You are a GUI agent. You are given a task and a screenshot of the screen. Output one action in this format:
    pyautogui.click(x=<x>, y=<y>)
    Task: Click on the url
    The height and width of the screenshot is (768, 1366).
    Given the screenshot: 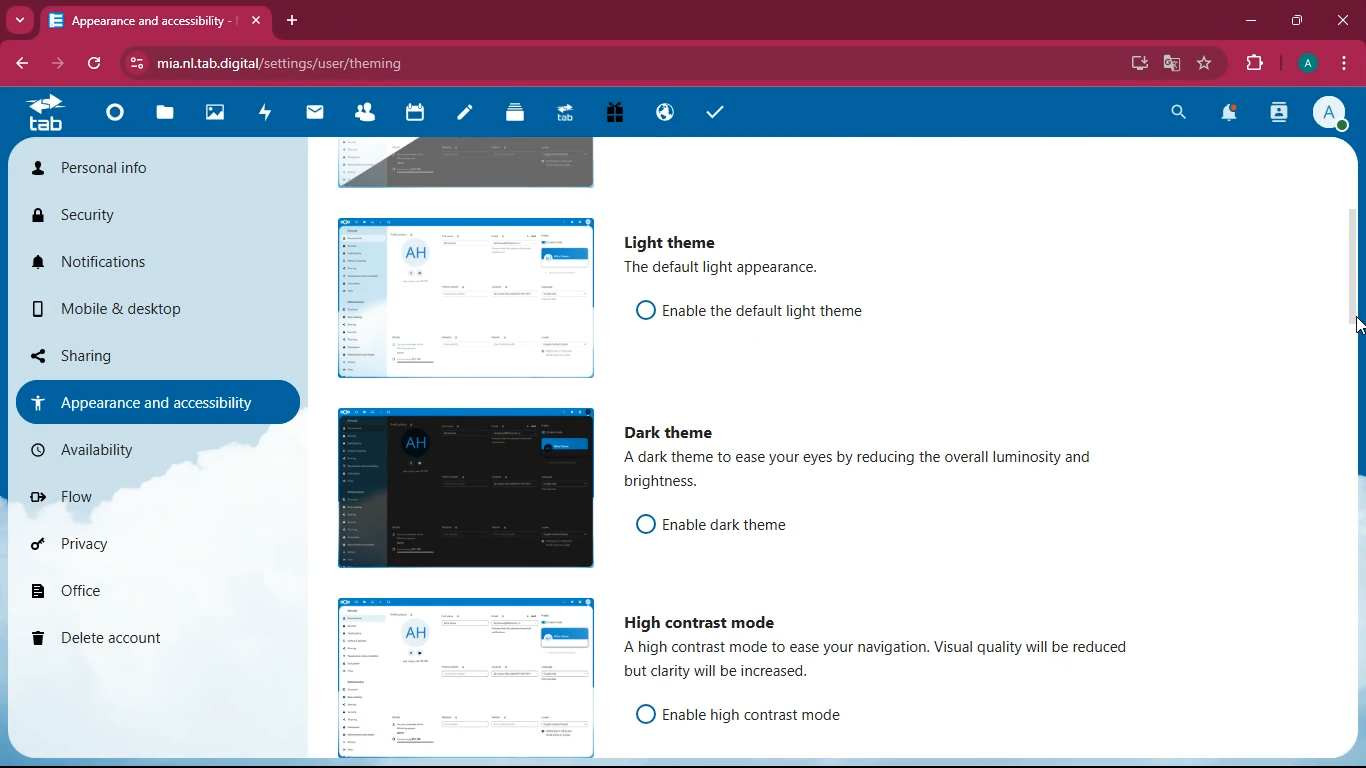 What is the action you would take?
    pyautogui.click(x=298, y=62)
    